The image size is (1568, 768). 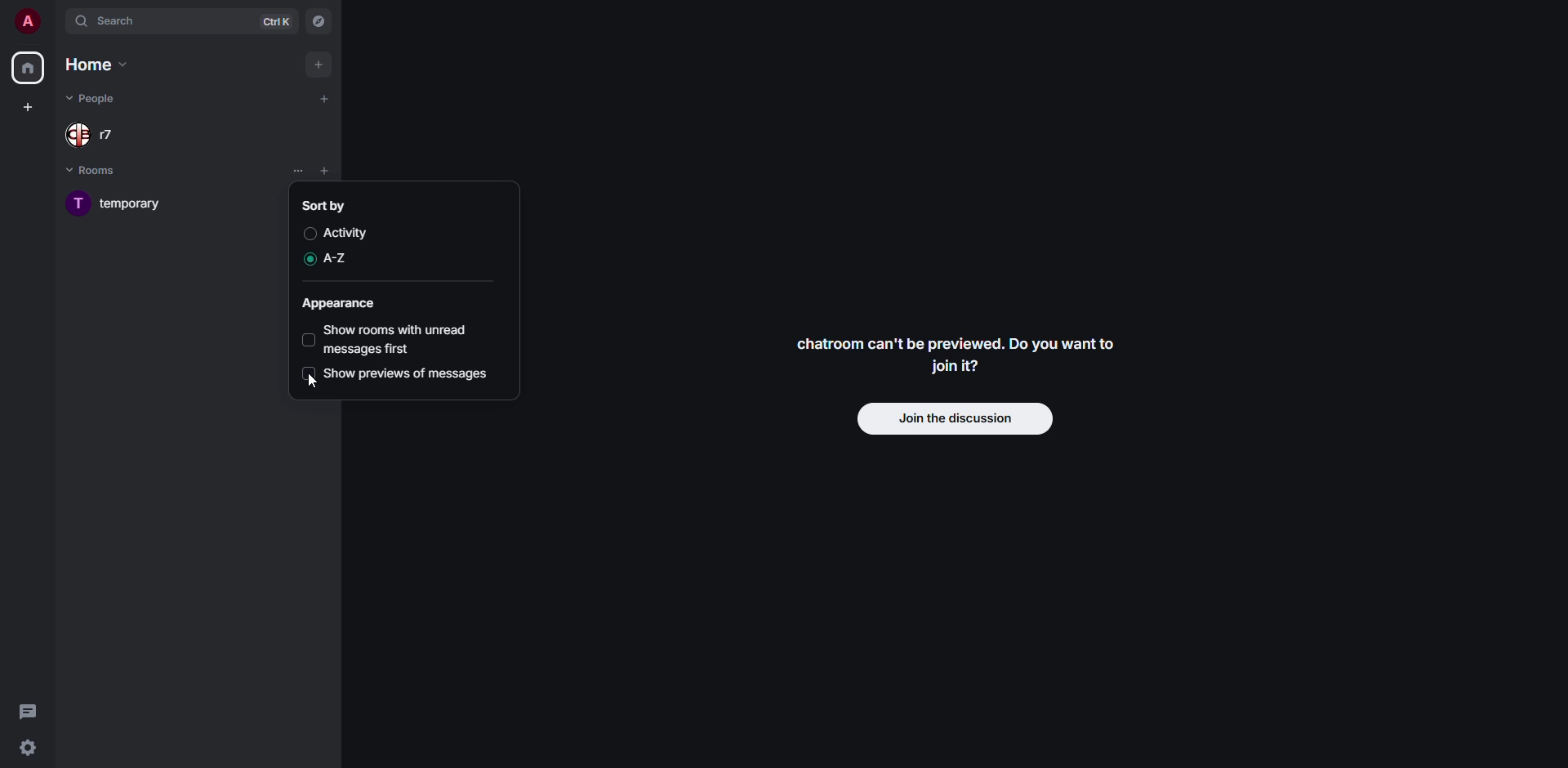 I want to click on disabled, so click(x=307, y=234).